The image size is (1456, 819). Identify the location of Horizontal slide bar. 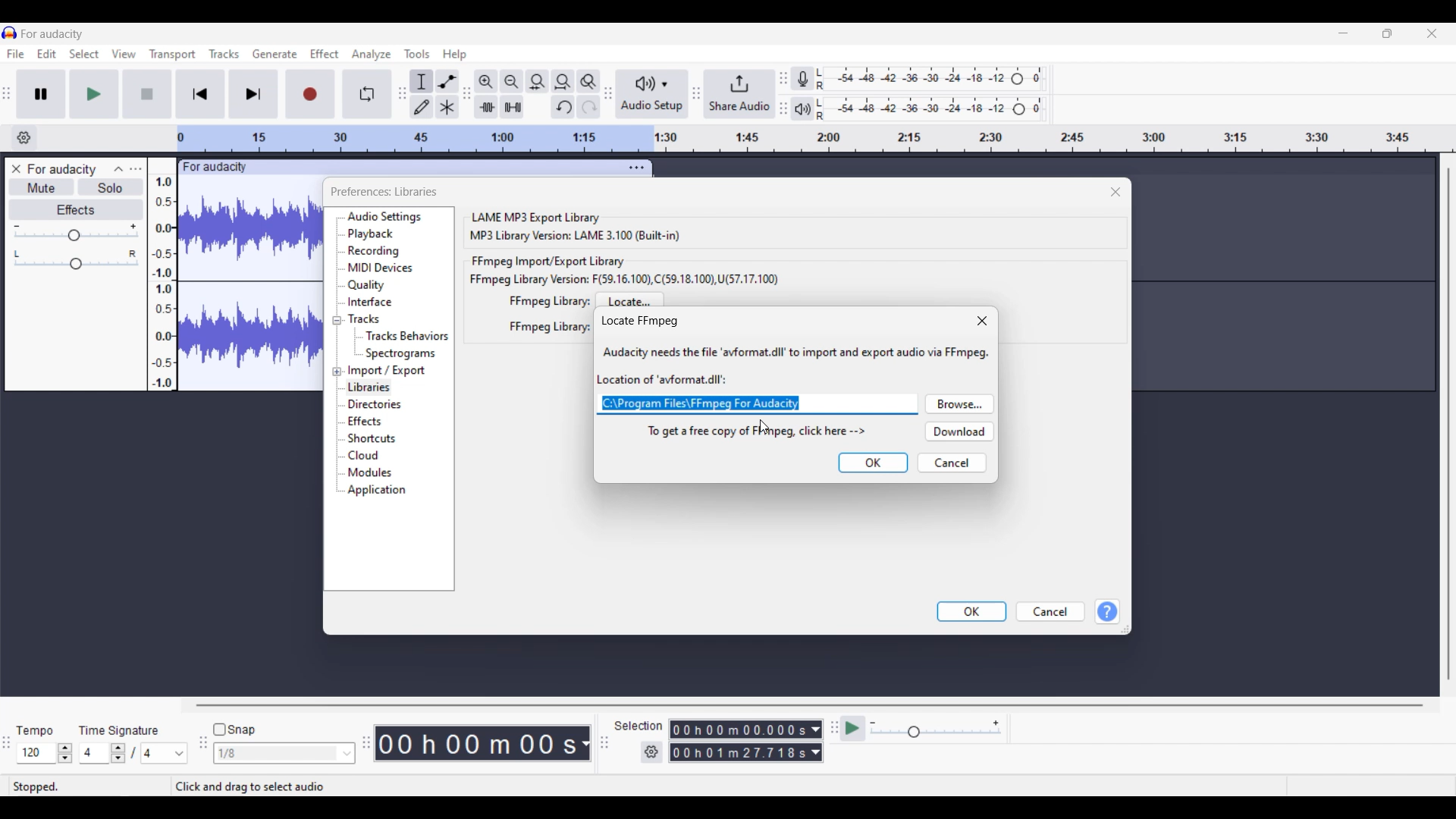
(809, 704).